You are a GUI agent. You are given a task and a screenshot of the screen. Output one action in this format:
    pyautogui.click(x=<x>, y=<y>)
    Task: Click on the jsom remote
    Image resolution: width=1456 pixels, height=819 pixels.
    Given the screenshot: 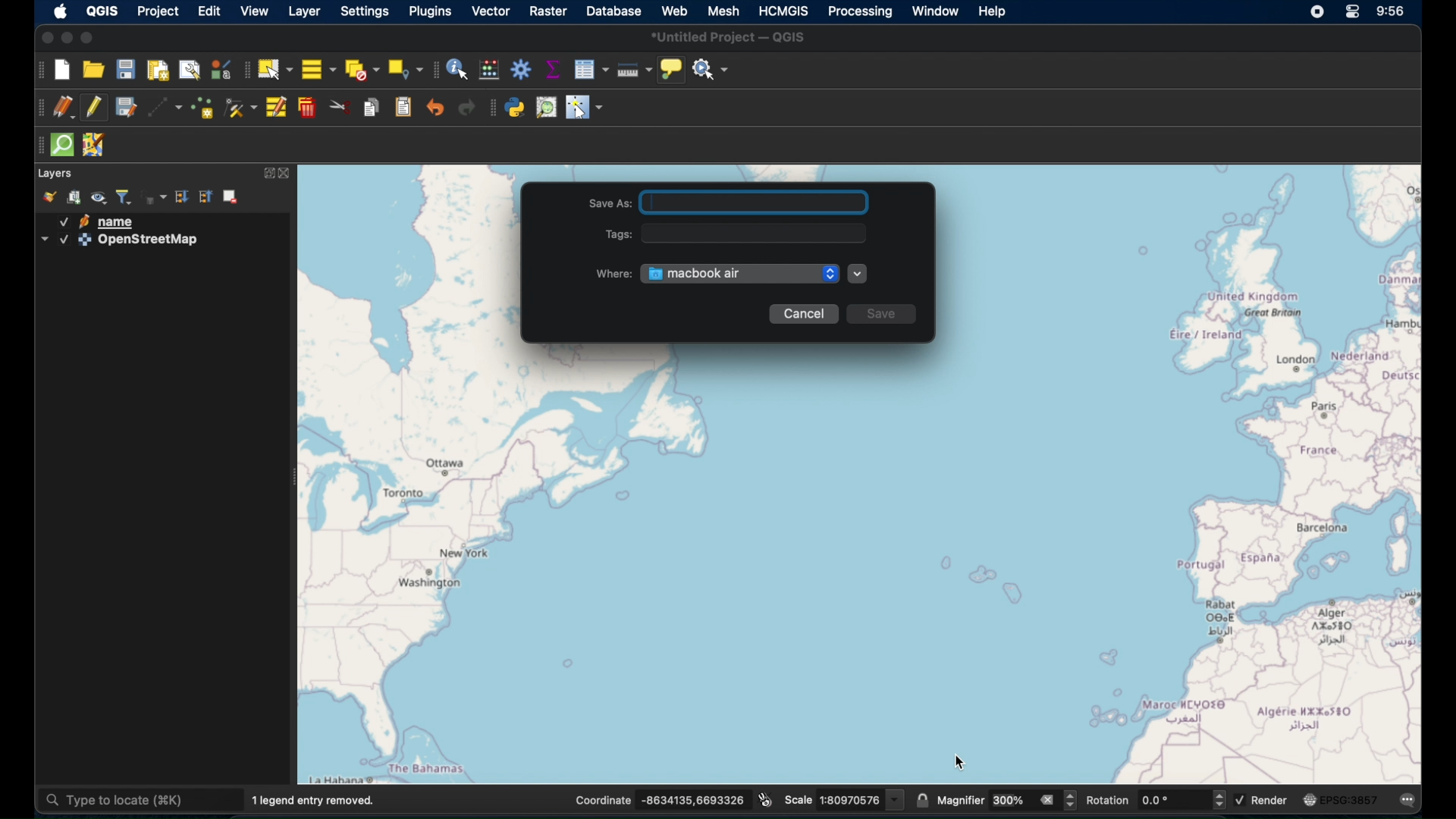 What is the action you would take?
    pyautogui.click(x=93, y=145)
    